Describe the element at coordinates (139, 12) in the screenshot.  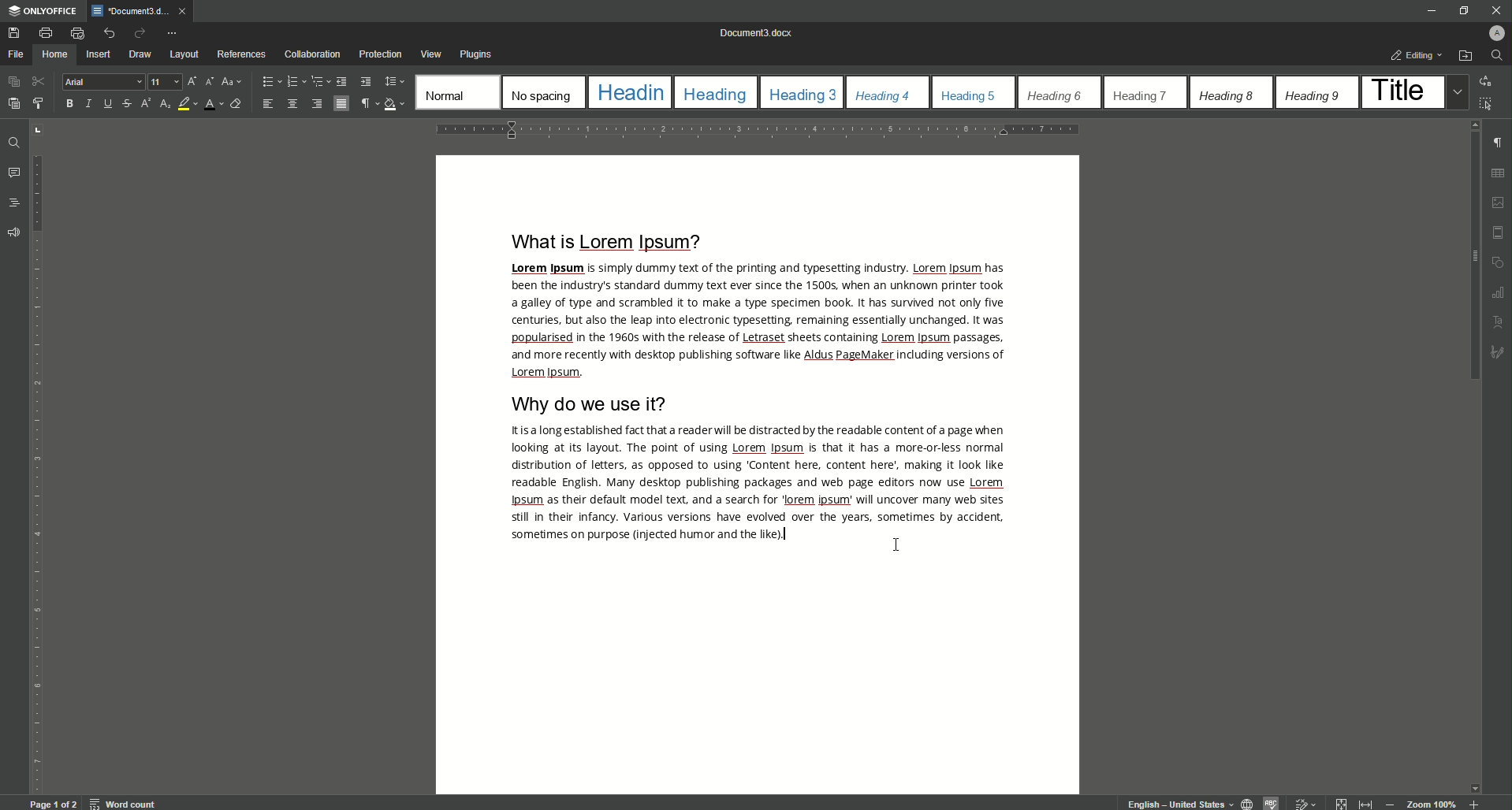
I see `Document )` at that location.